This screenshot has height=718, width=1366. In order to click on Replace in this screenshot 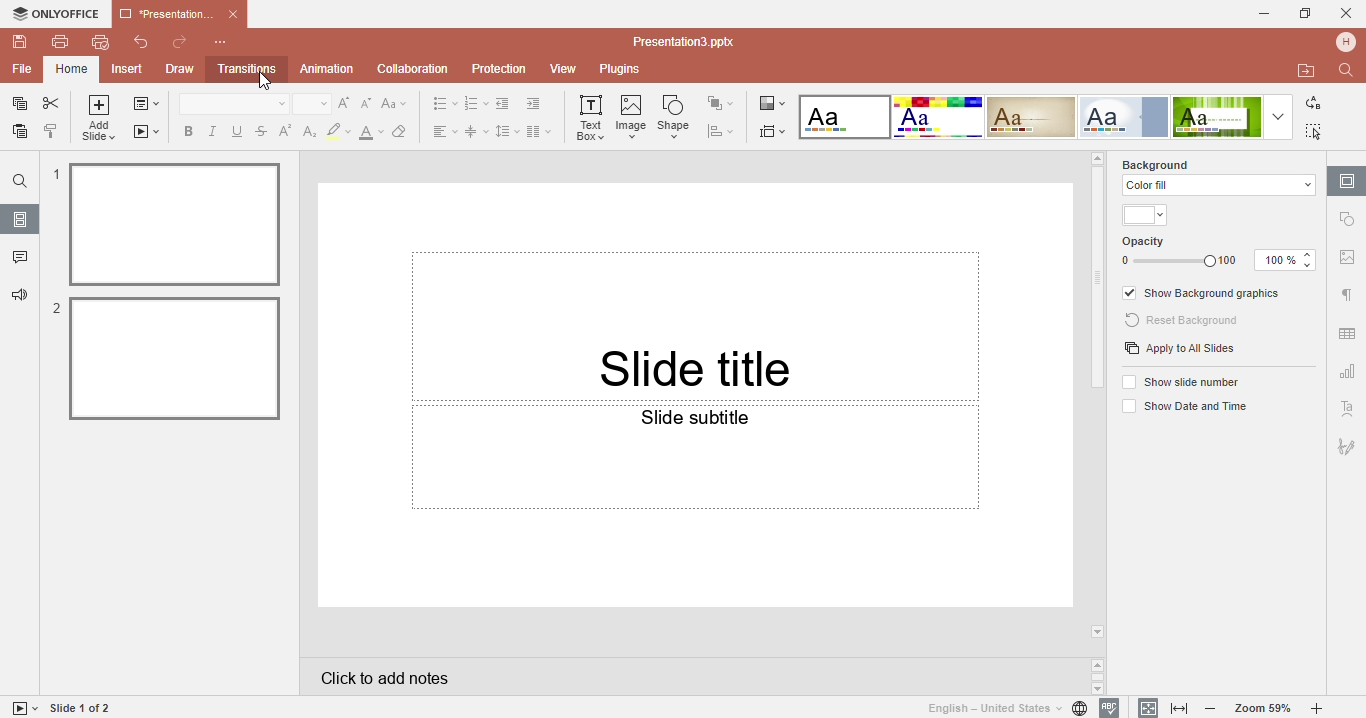, I will do `click(1312, 104)`.